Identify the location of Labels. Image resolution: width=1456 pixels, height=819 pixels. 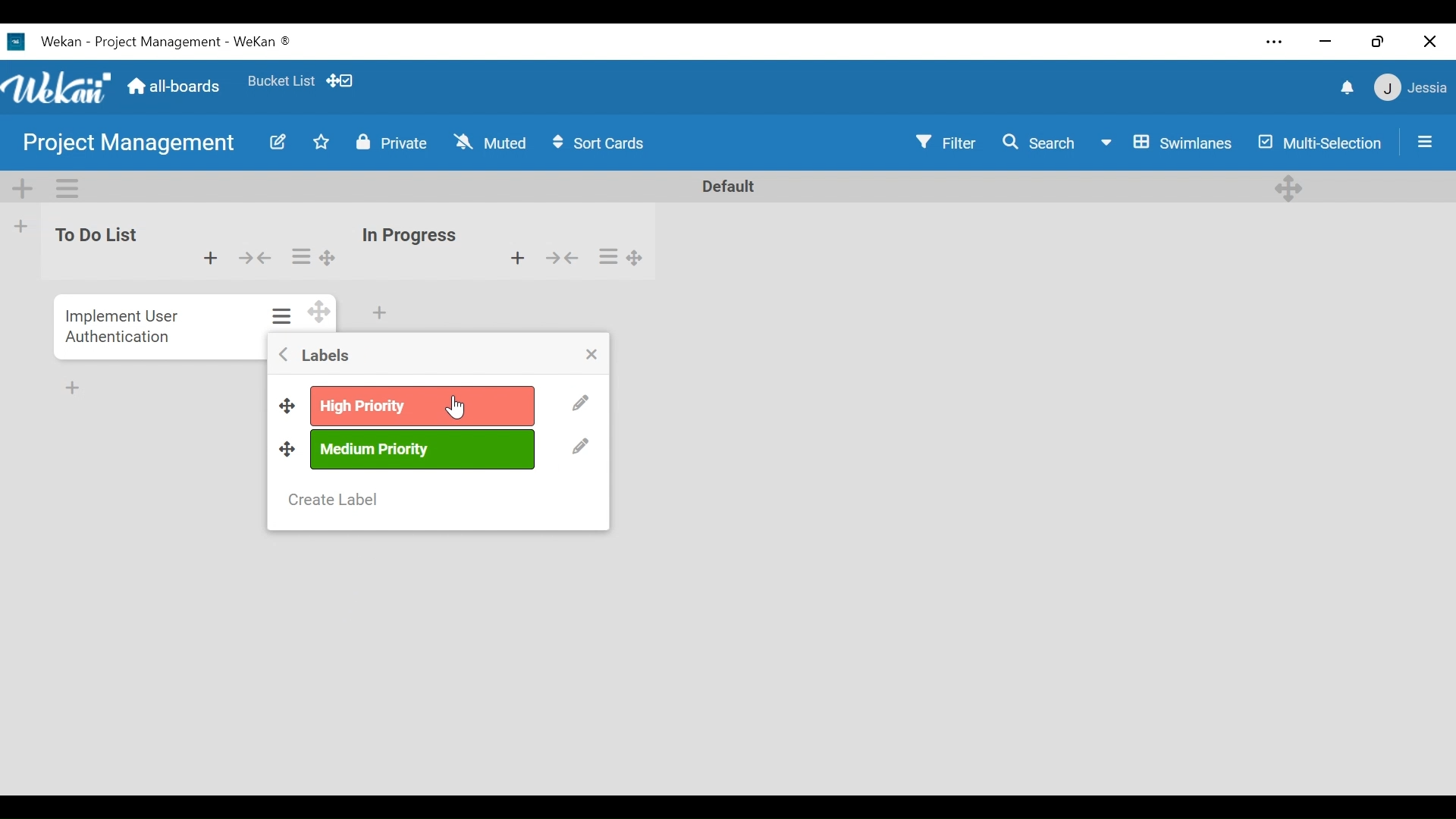
(324, 356).